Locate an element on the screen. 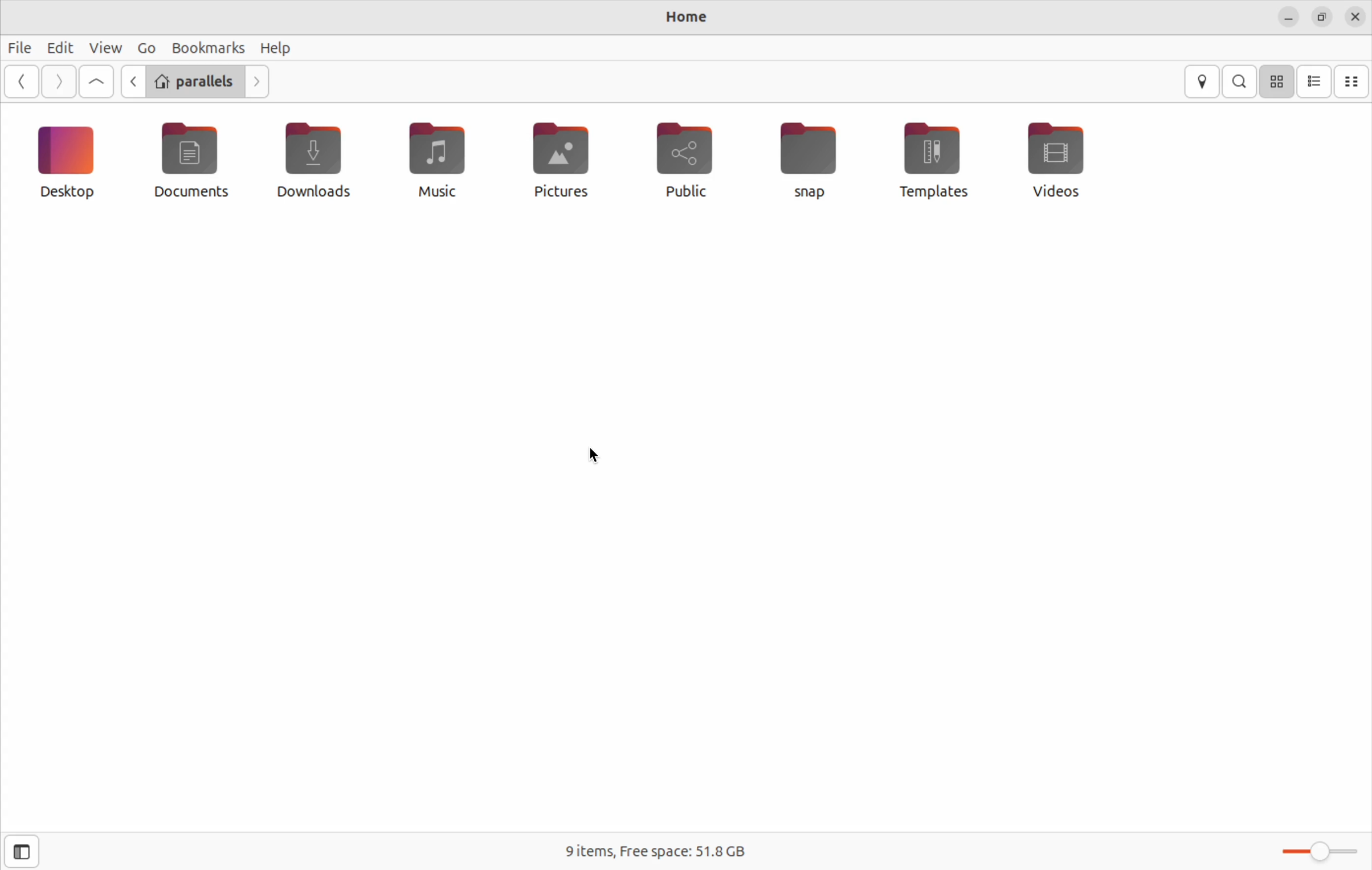 Image resolution: width=1372 pixels, height=870 pixels. 9 items free space 51.8Gb is located at coordinates (654, 851).